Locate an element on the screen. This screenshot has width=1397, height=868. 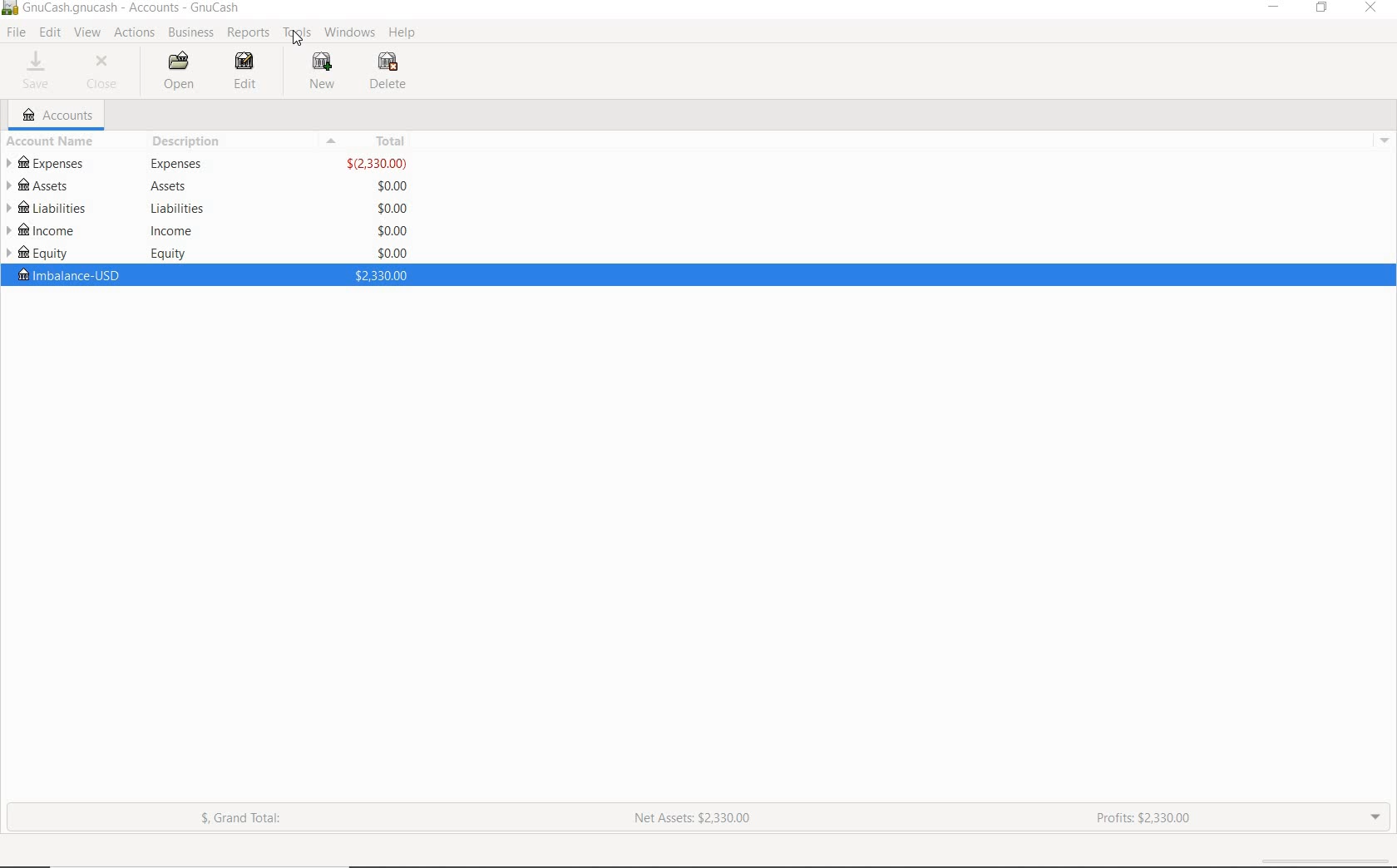
Cursor is located at coordinates (298, 38).